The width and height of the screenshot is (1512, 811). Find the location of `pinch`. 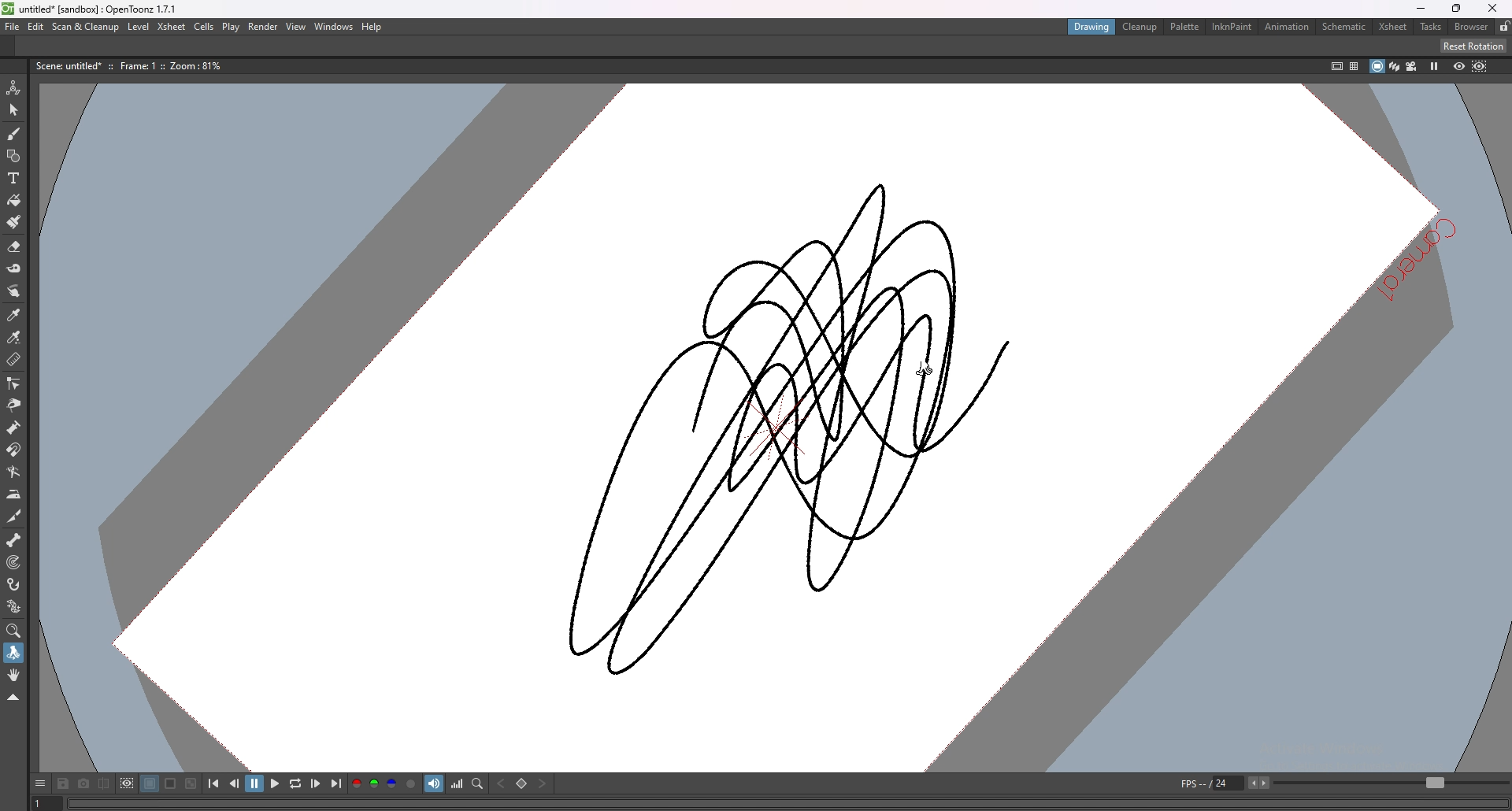

pinch is located at coordinates (15, 405).